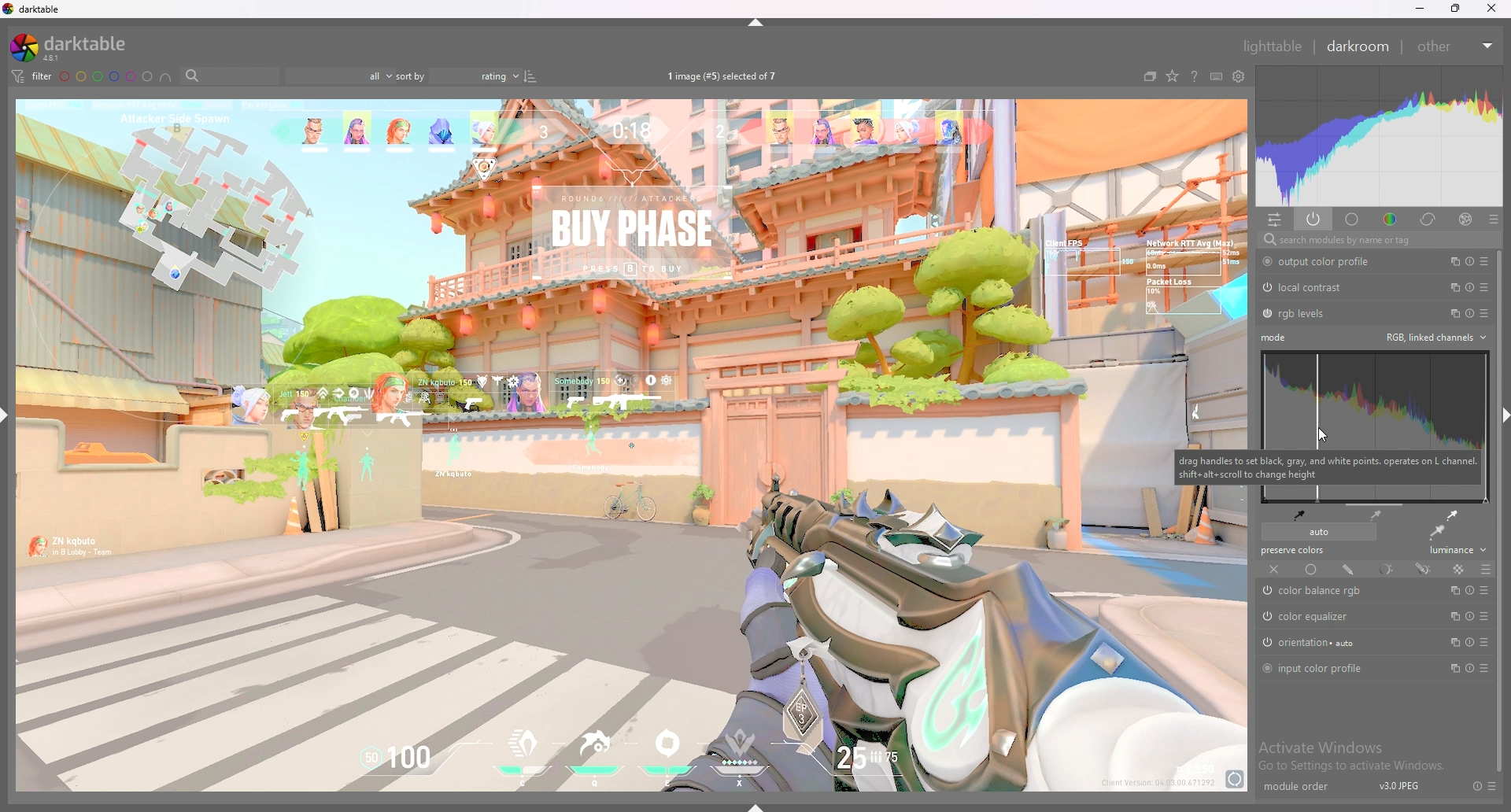 This screenshot has height=812, width=1511. I want to click on more, so click(1482, 669).